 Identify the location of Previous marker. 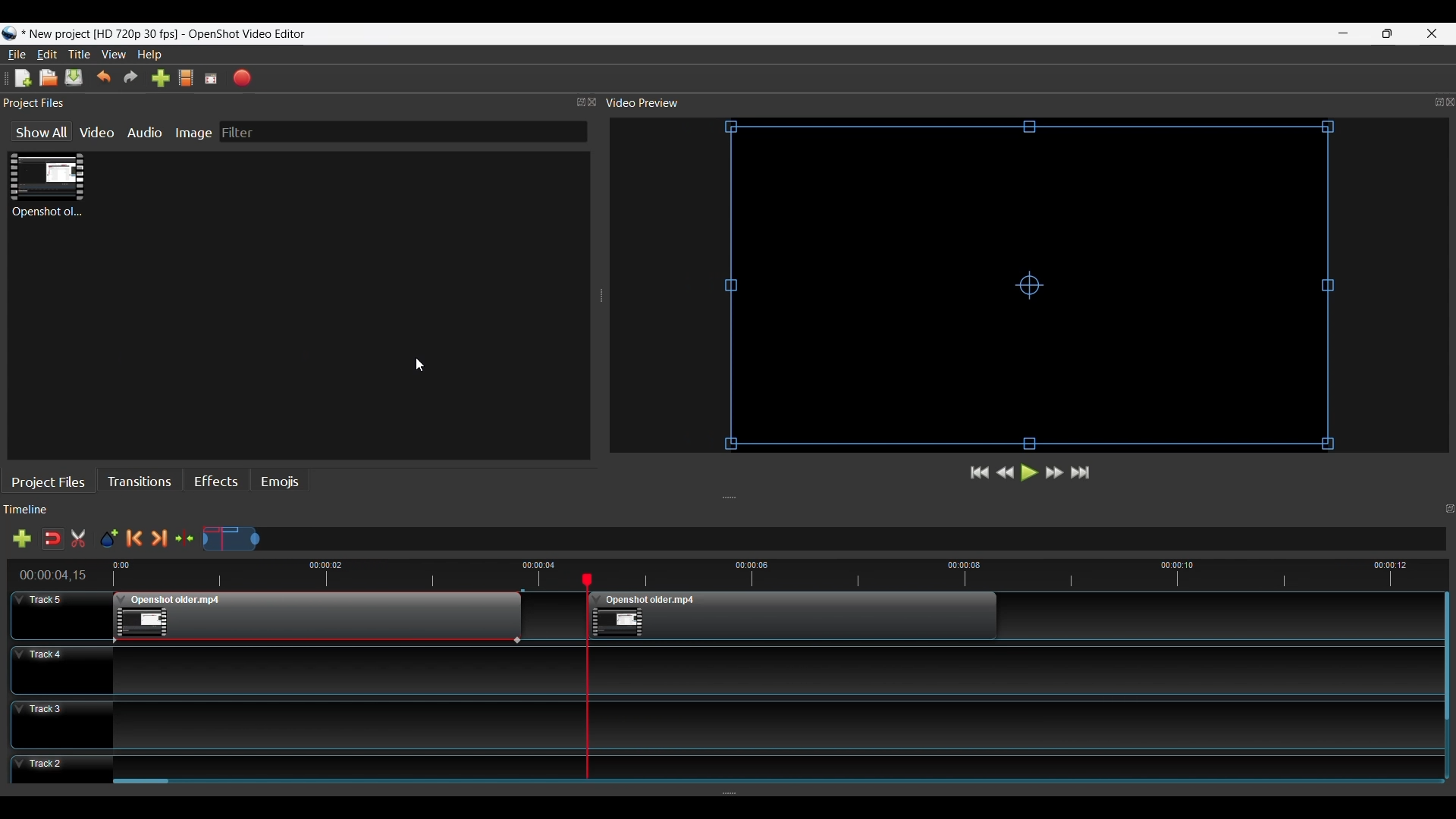
(137, 538).